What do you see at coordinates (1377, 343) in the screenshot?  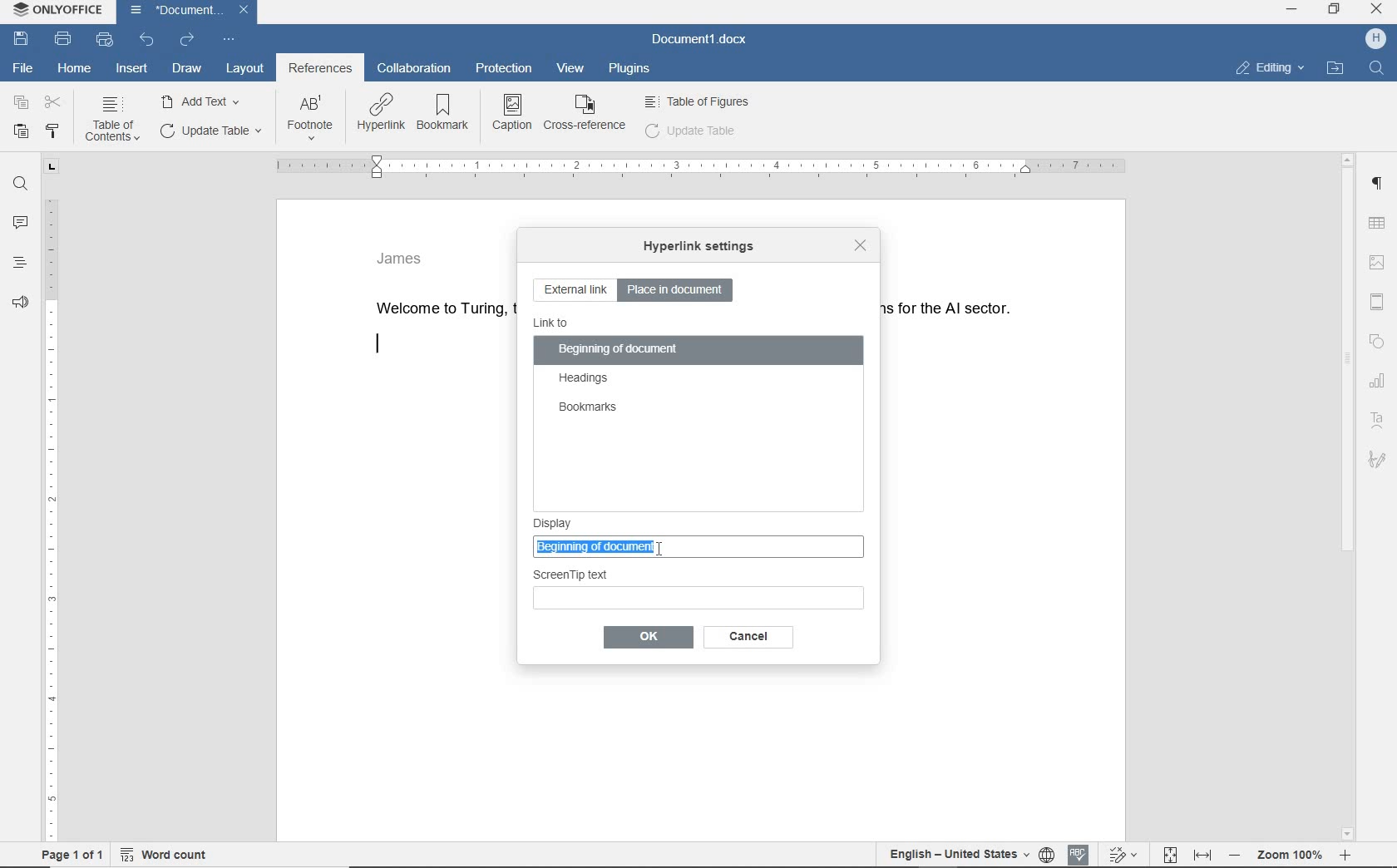 I see `shape` at bounding box center [1377, 343].